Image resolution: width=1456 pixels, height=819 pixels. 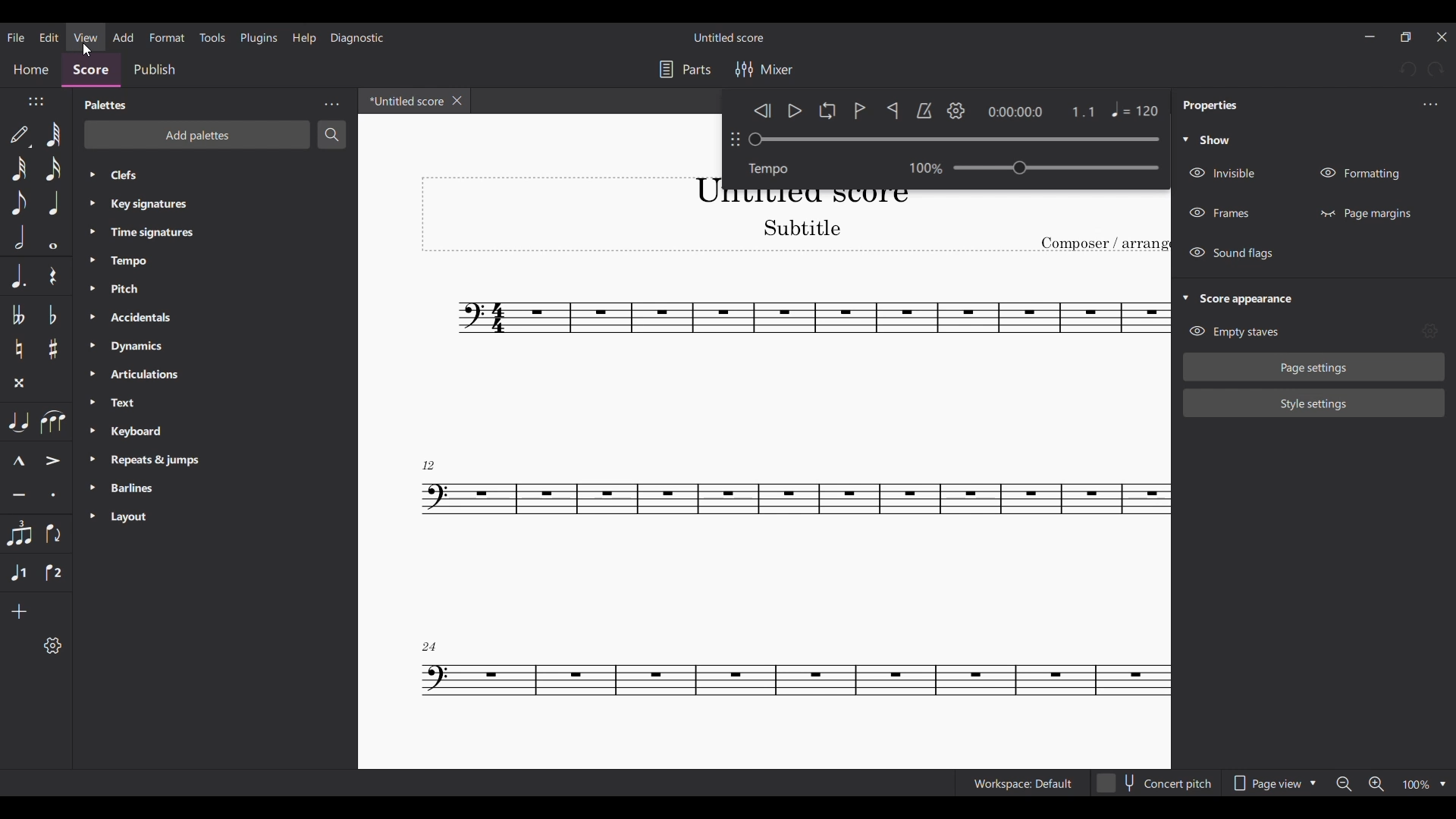 I want to click on Rewind, so click(x=762, y=110).